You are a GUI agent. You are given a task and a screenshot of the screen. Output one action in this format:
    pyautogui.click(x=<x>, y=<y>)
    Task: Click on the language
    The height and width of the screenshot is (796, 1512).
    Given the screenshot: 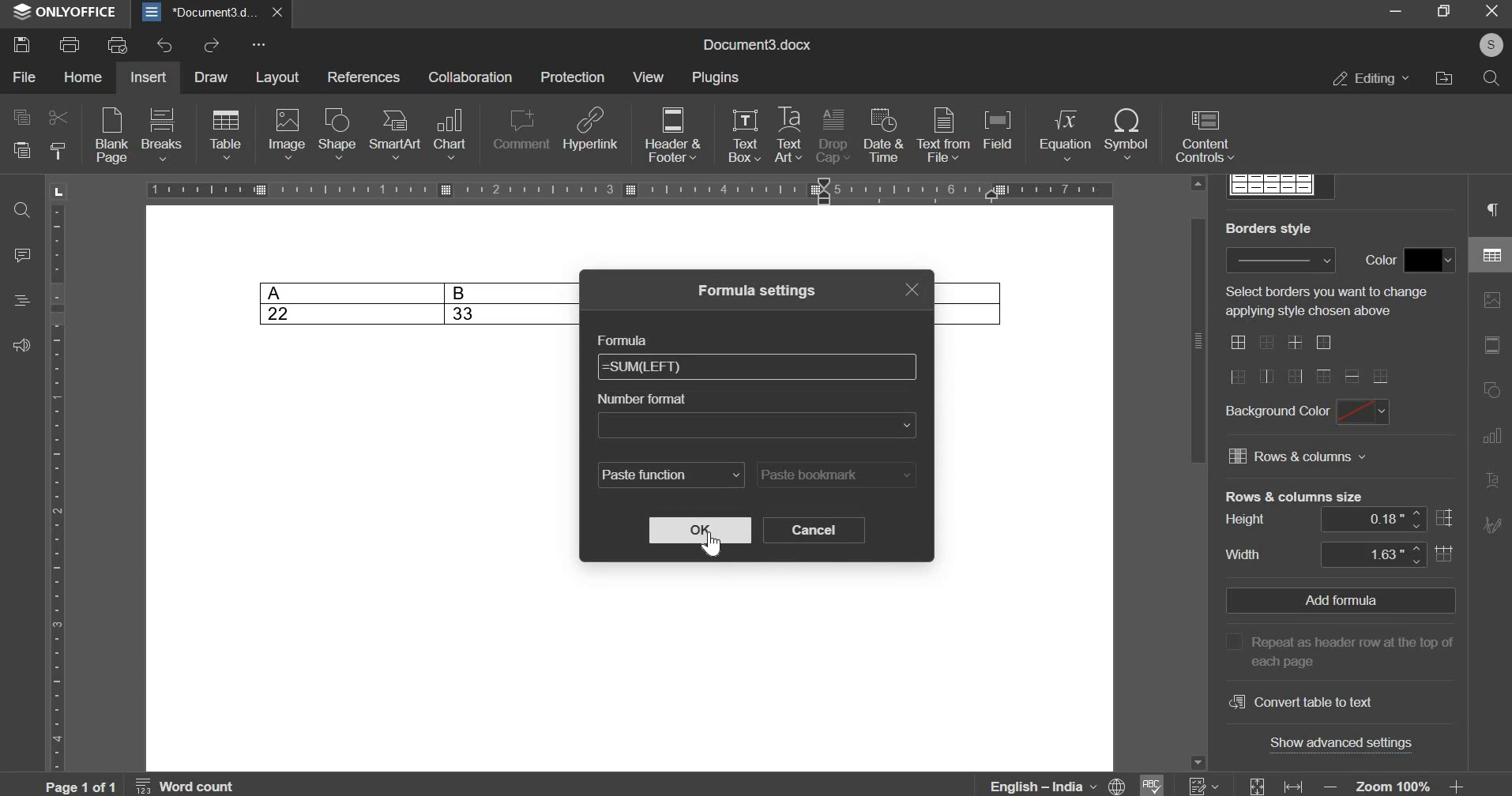 What is the action you would take?
    pyautogui.click(x=1059, y=784)
    